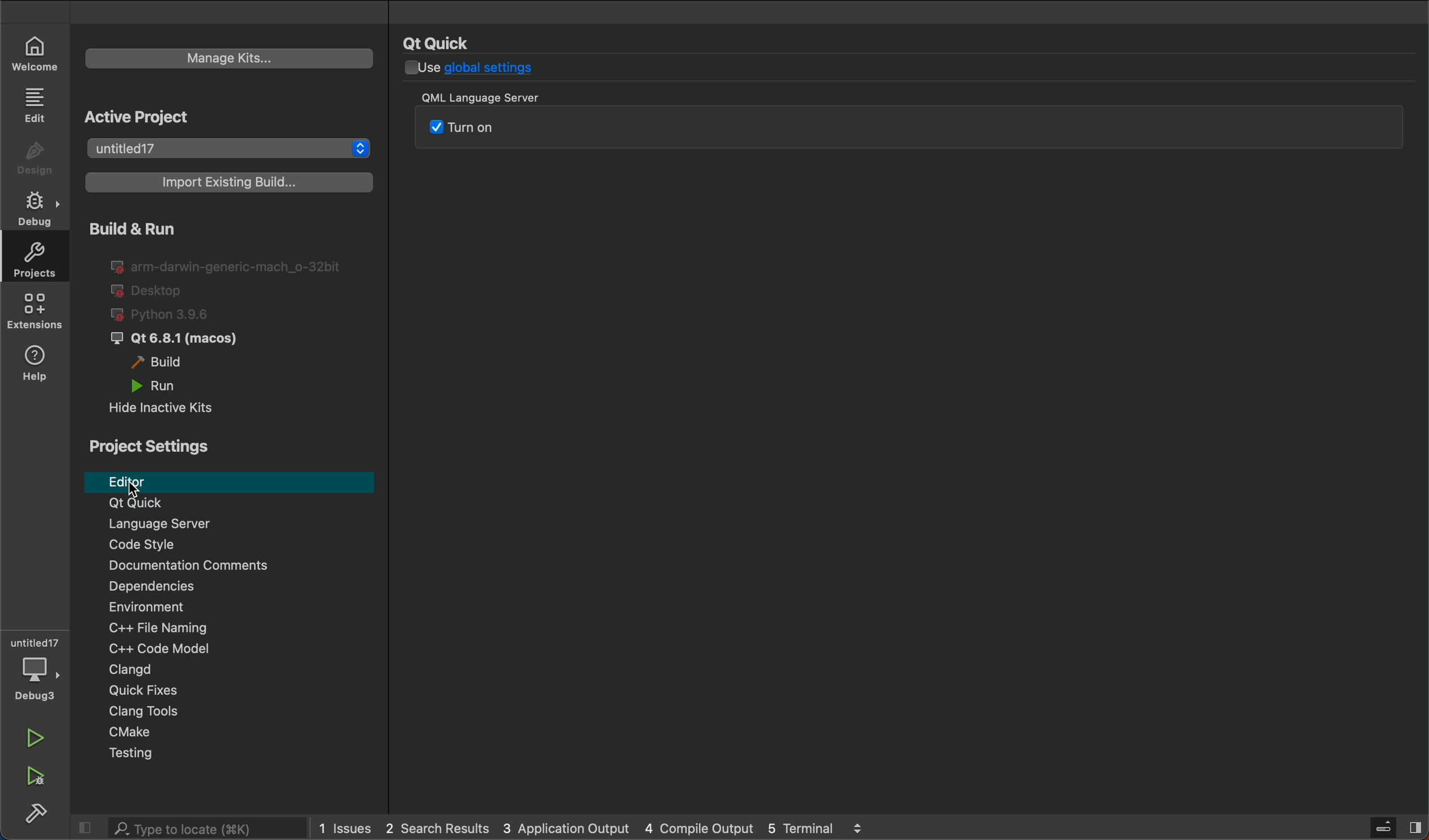 The width and height of the screenshot is (1429, 840). What do you see at coordinates (171, 364) in the screenshot?
I see `build ` at bounding box center [171, 364].